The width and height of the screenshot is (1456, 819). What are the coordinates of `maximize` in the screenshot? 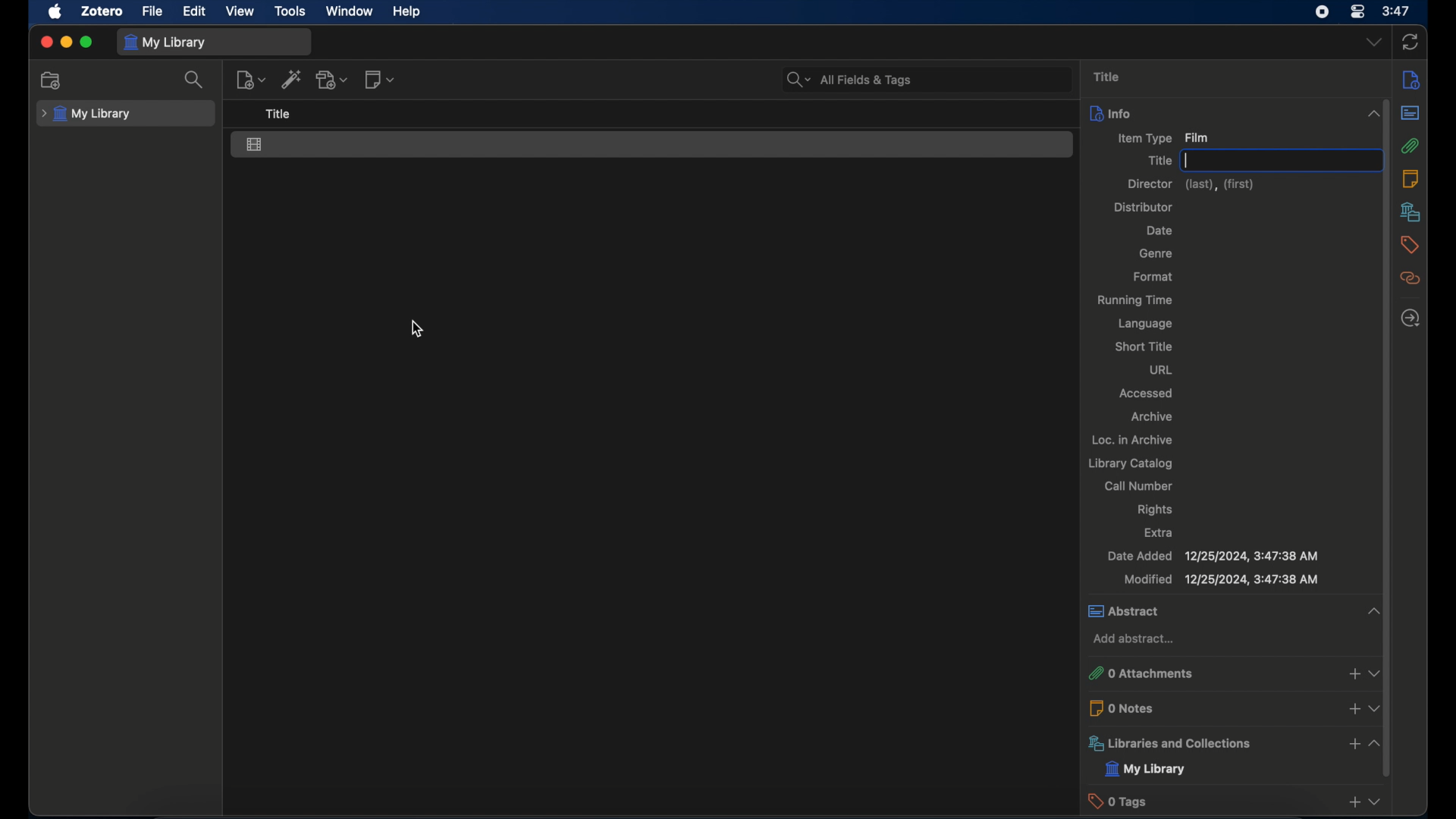 It's located at (87, 42).